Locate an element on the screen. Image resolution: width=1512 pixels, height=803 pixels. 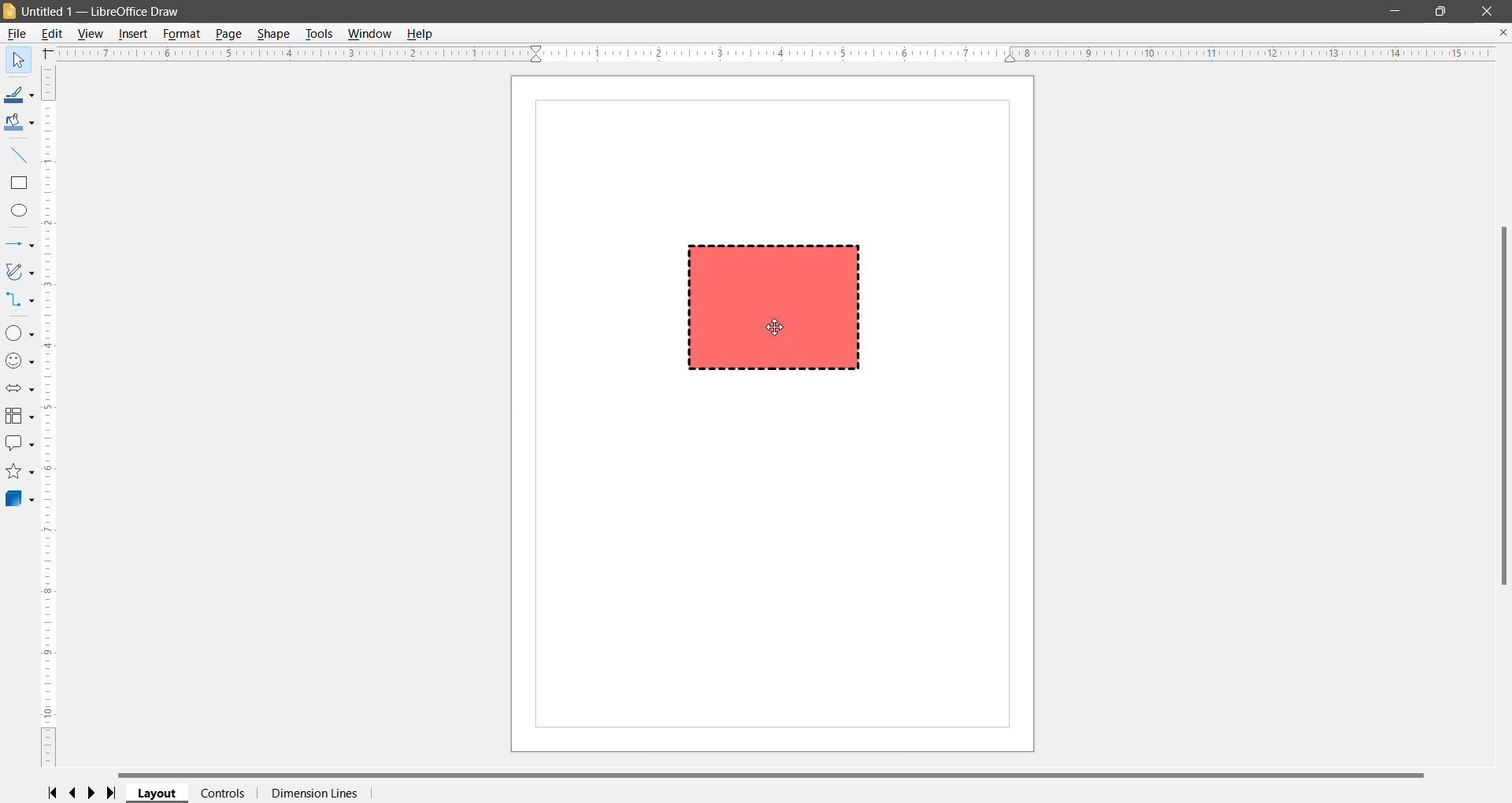
Layout is located at coordinates (157, 794).